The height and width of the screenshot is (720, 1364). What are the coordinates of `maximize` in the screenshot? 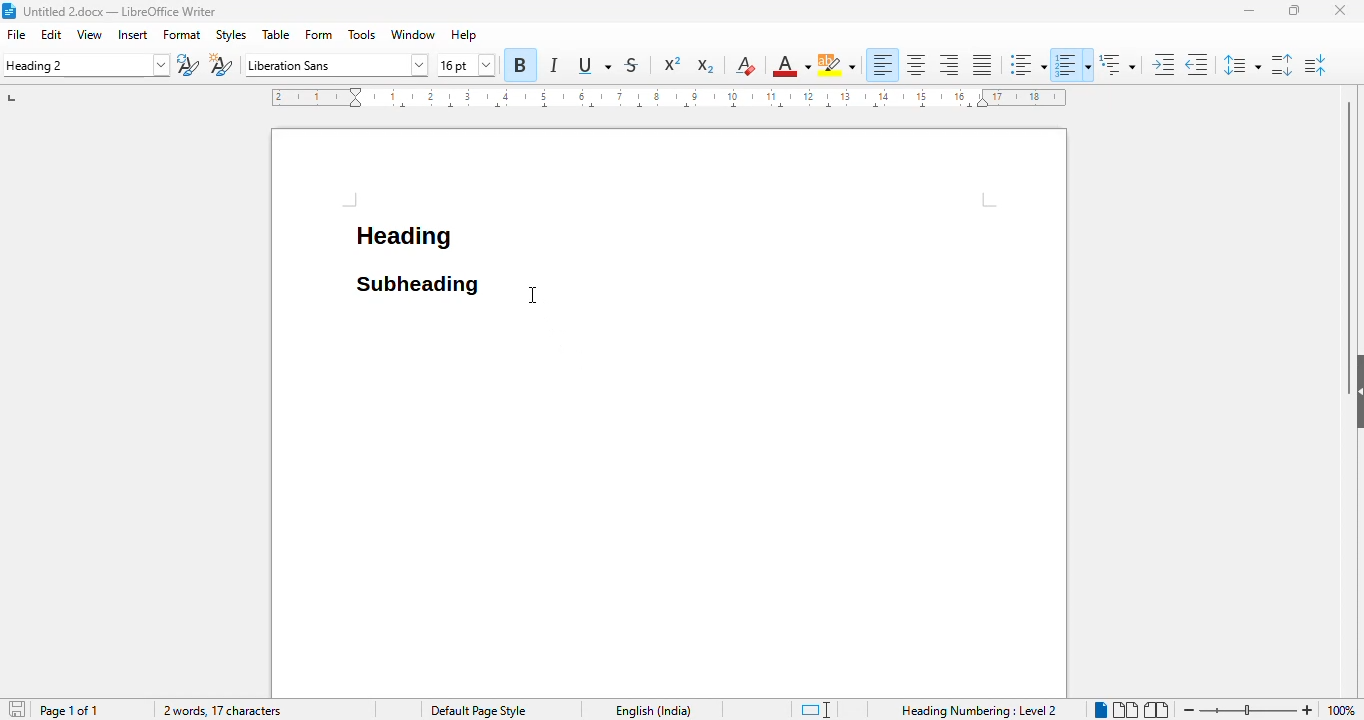 It's located at (1294, 9).